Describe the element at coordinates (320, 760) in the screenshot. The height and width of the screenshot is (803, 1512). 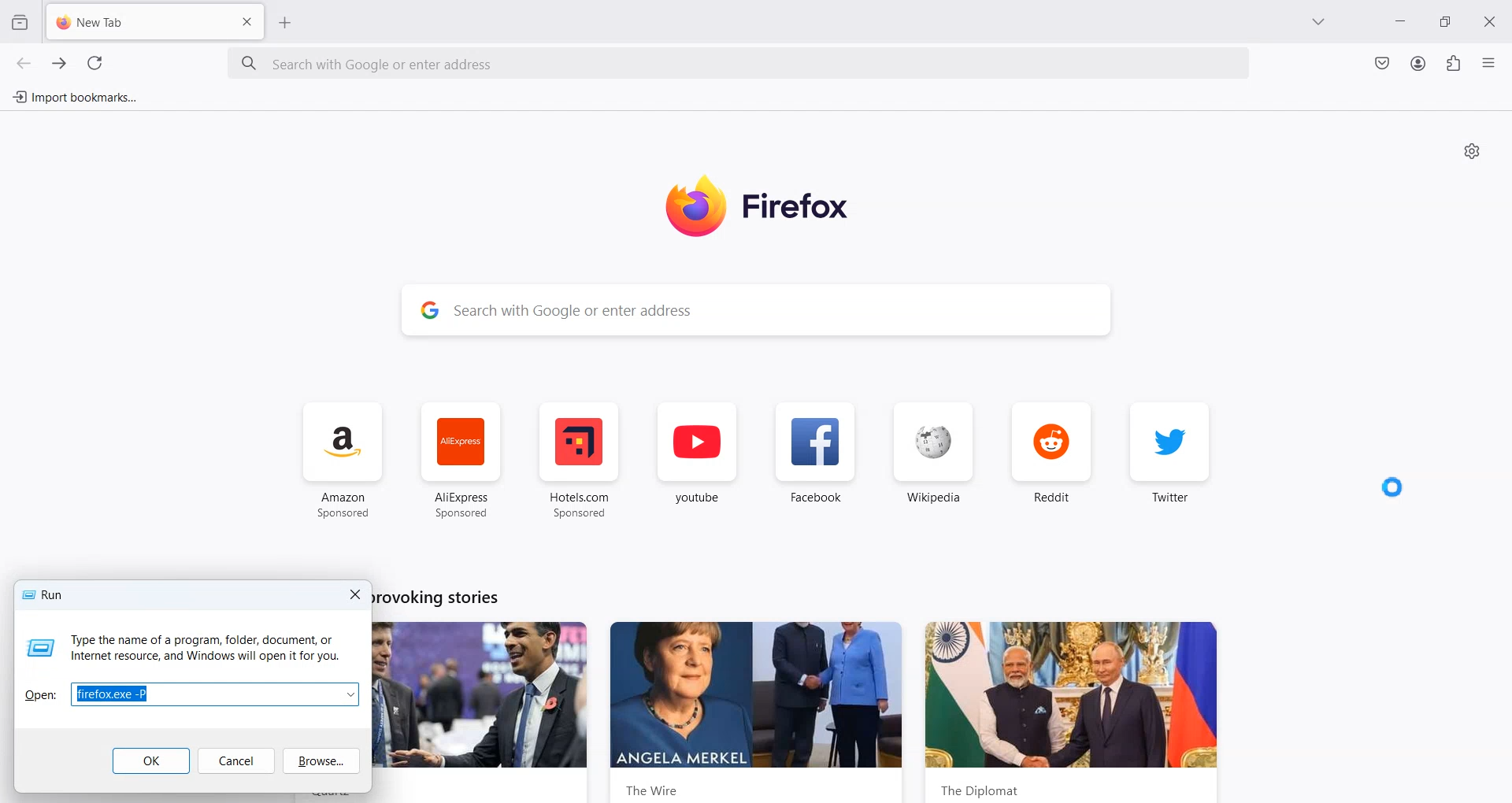
I see `Browse` at that location.